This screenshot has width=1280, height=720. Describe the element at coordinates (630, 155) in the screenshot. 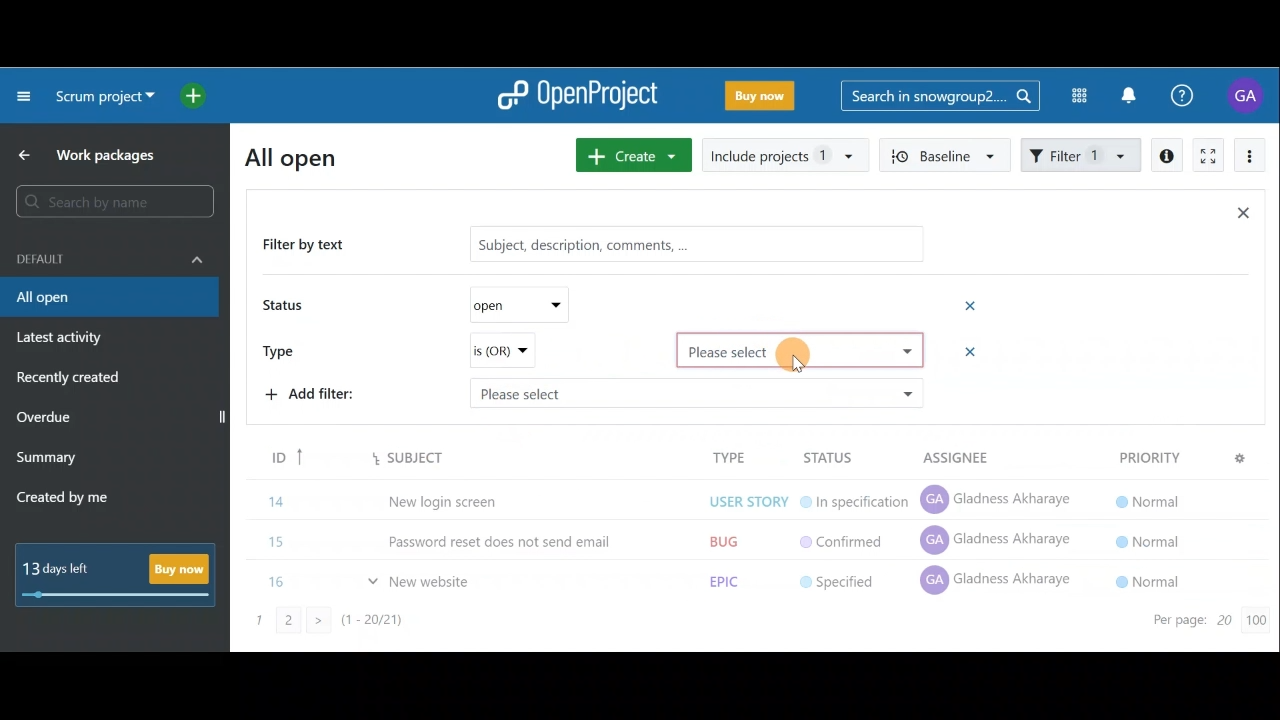

I see `Create` at that location.